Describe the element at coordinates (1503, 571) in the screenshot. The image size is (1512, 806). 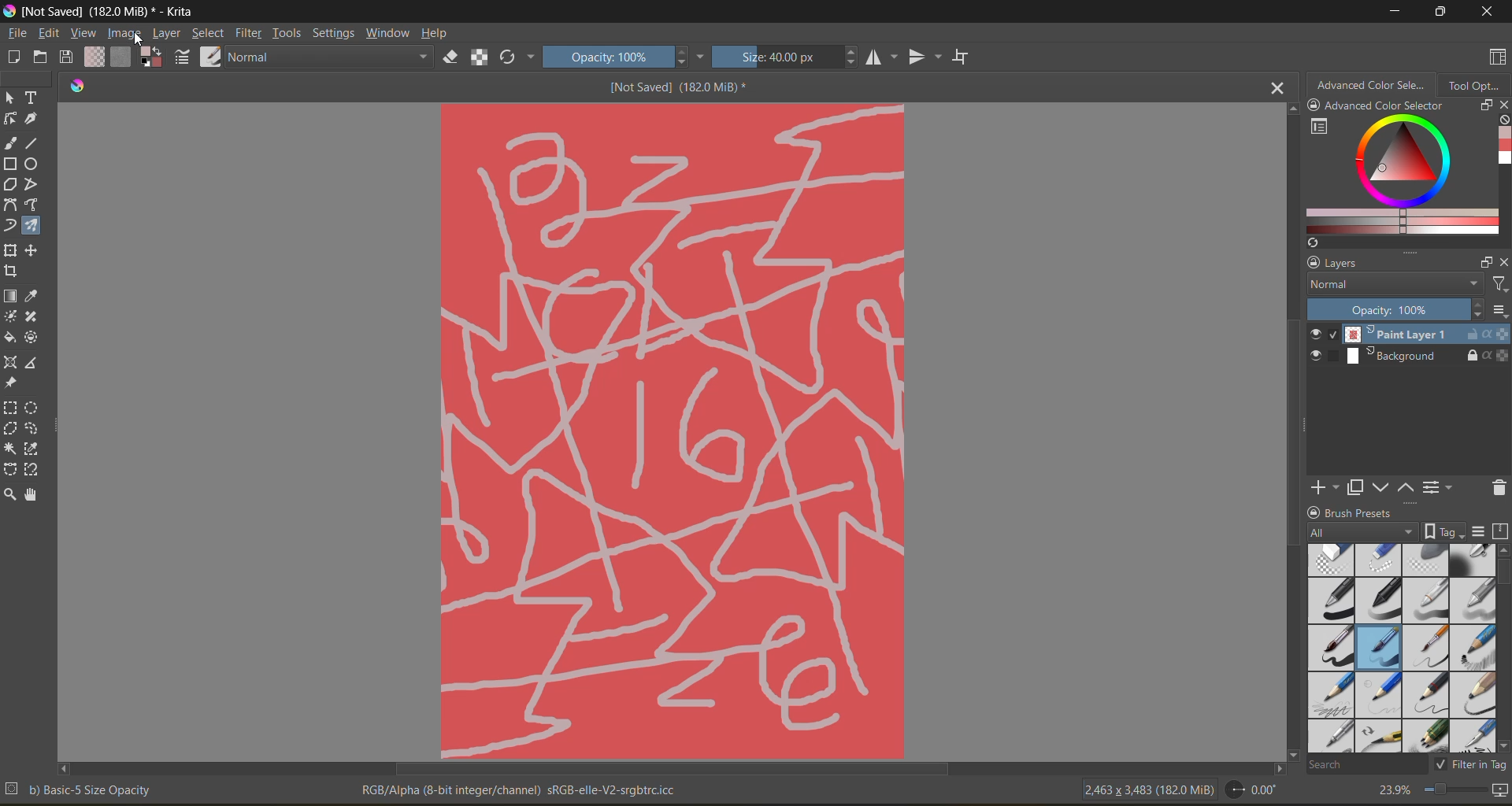
I see `vertical scroll bar` at that location.